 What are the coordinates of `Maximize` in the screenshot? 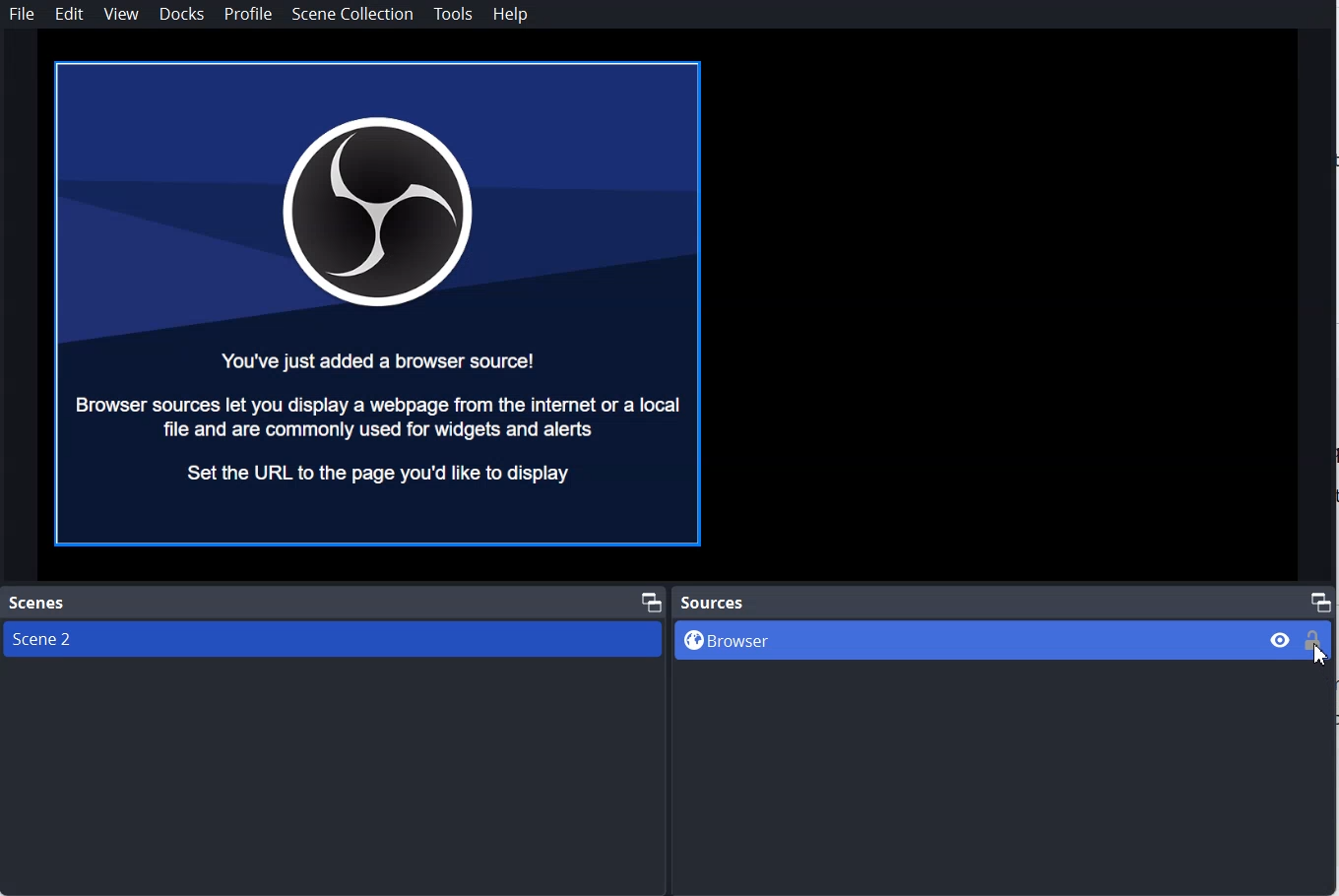 It's located at (651, 600).